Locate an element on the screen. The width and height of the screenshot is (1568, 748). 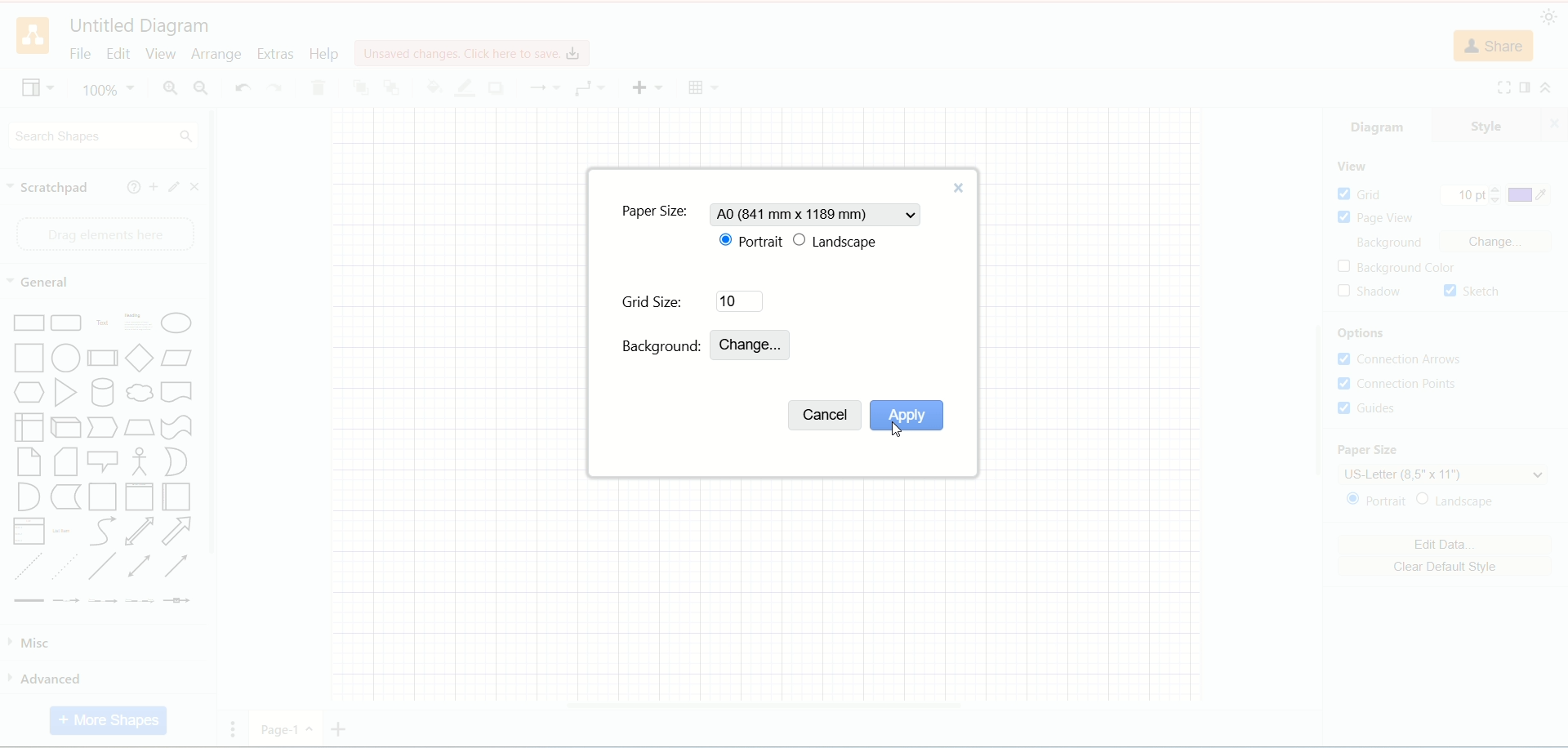
sketch is located at coordinates (1472, 292).